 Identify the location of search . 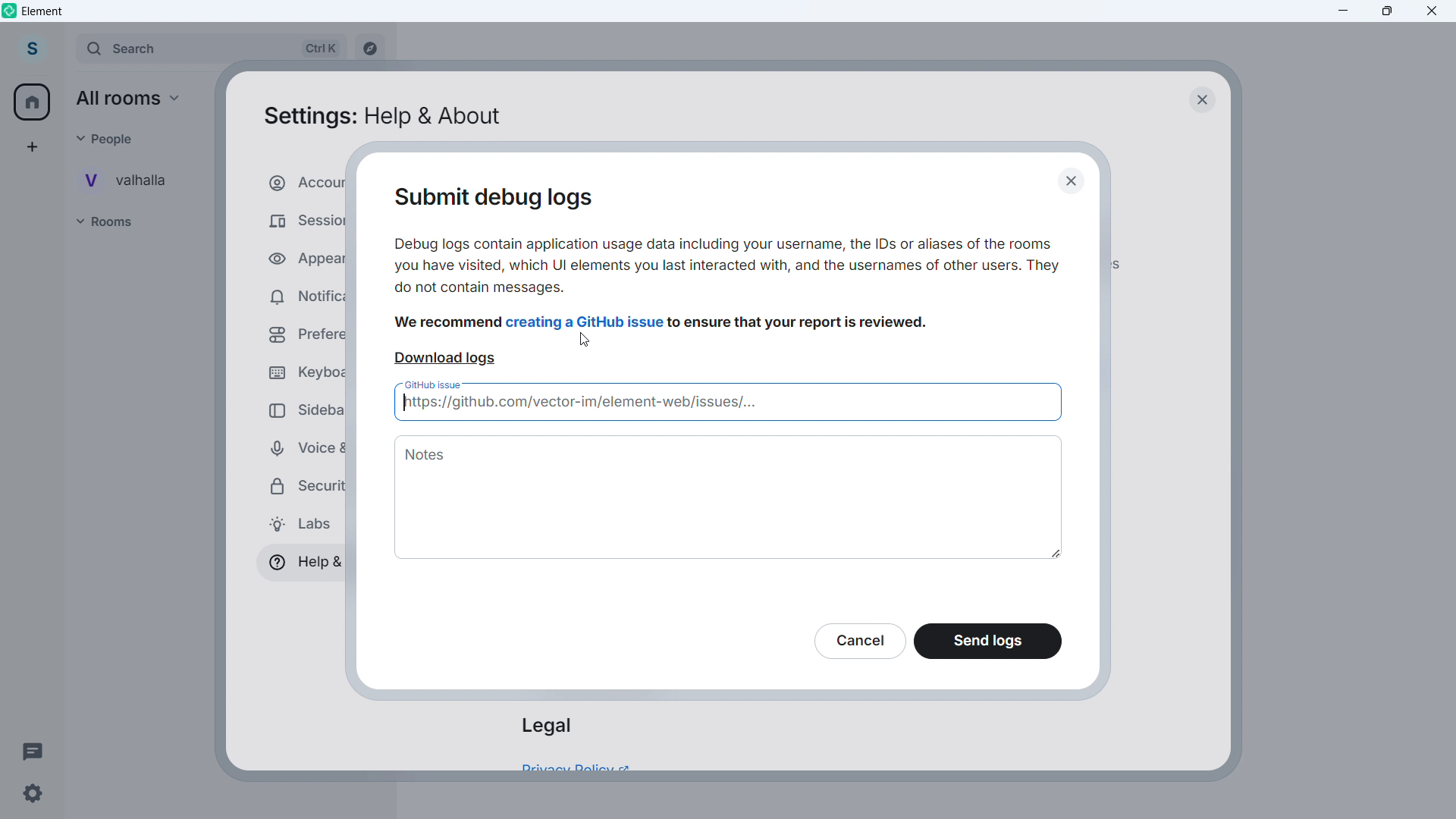
(209, 49).